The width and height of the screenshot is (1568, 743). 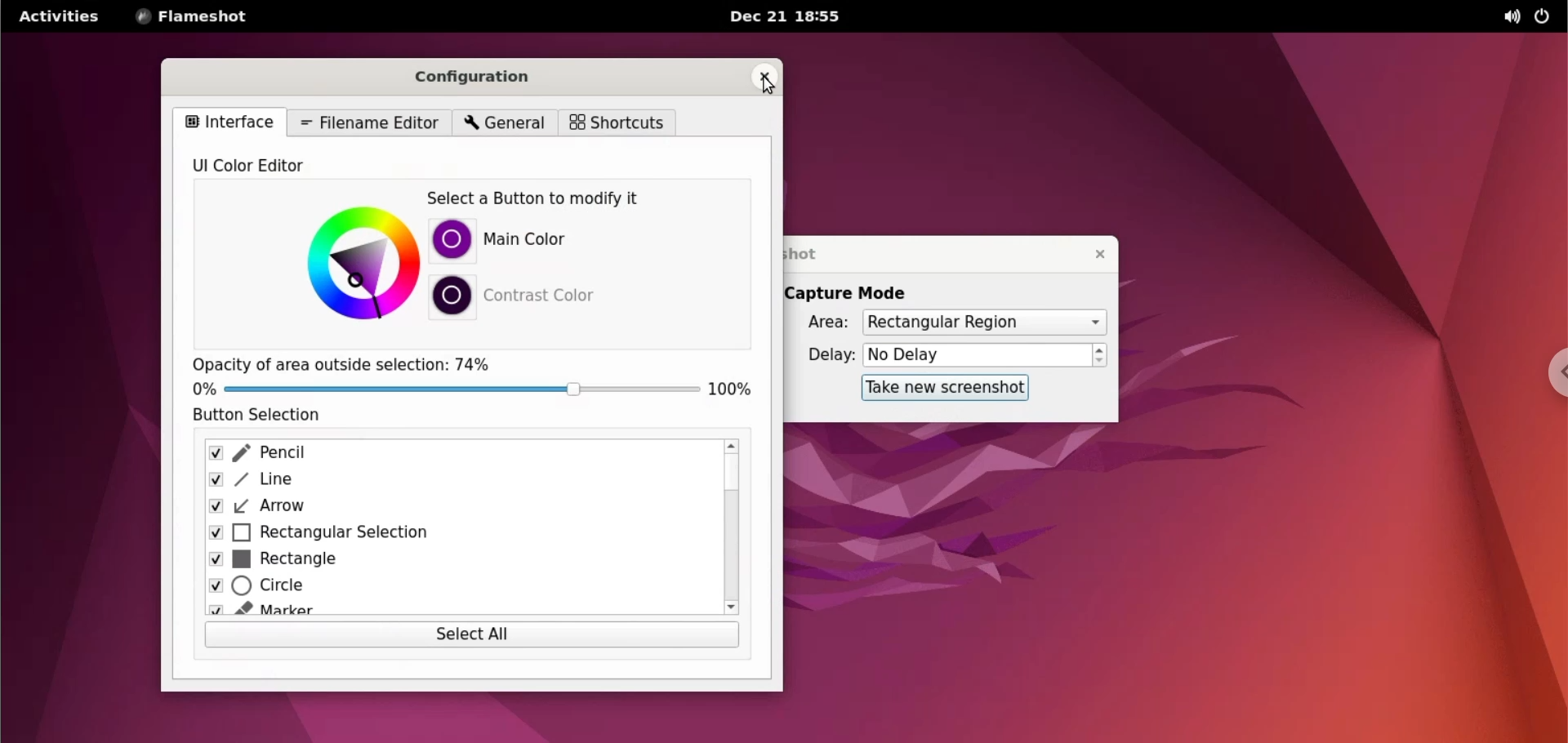 What do you see at coordinates (938, 387) in the screenshot?
I see `take new screenshot` at bounding box center [938, 387].